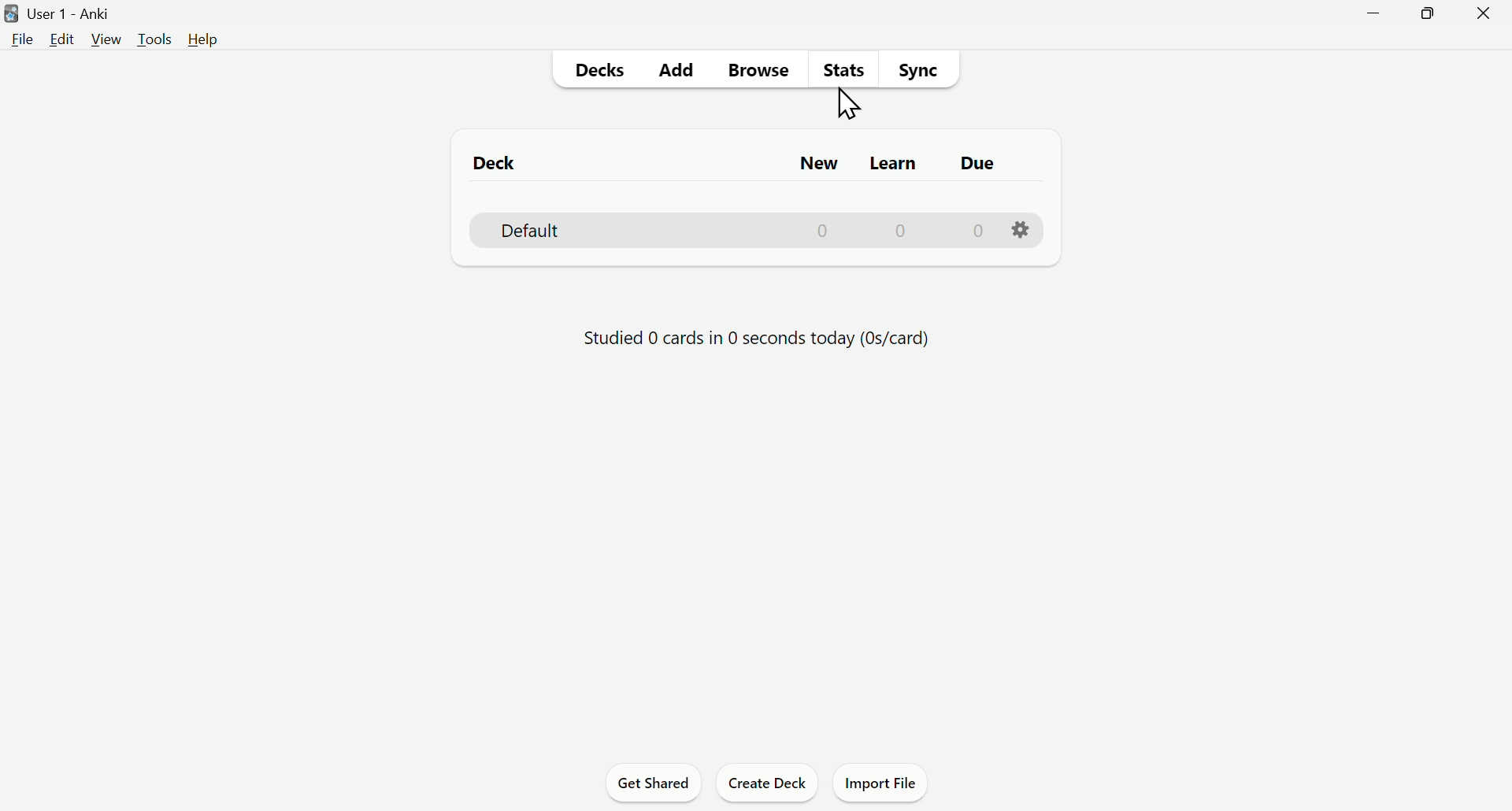 The width and height of the screenshot is (1512, 811). Describe the element at coordinates (979, 168) in the screenshot. I see `Due` at that location.